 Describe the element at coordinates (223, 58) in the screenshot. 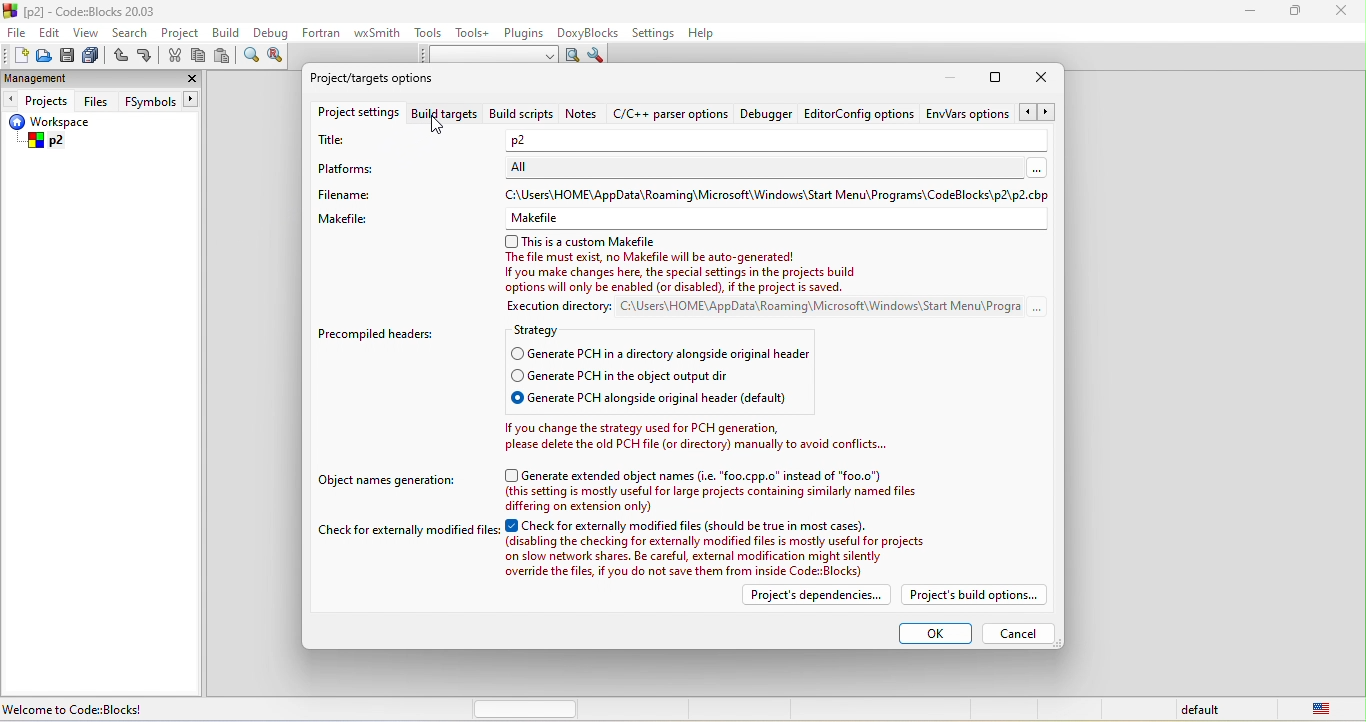

I see `paste` at that location.